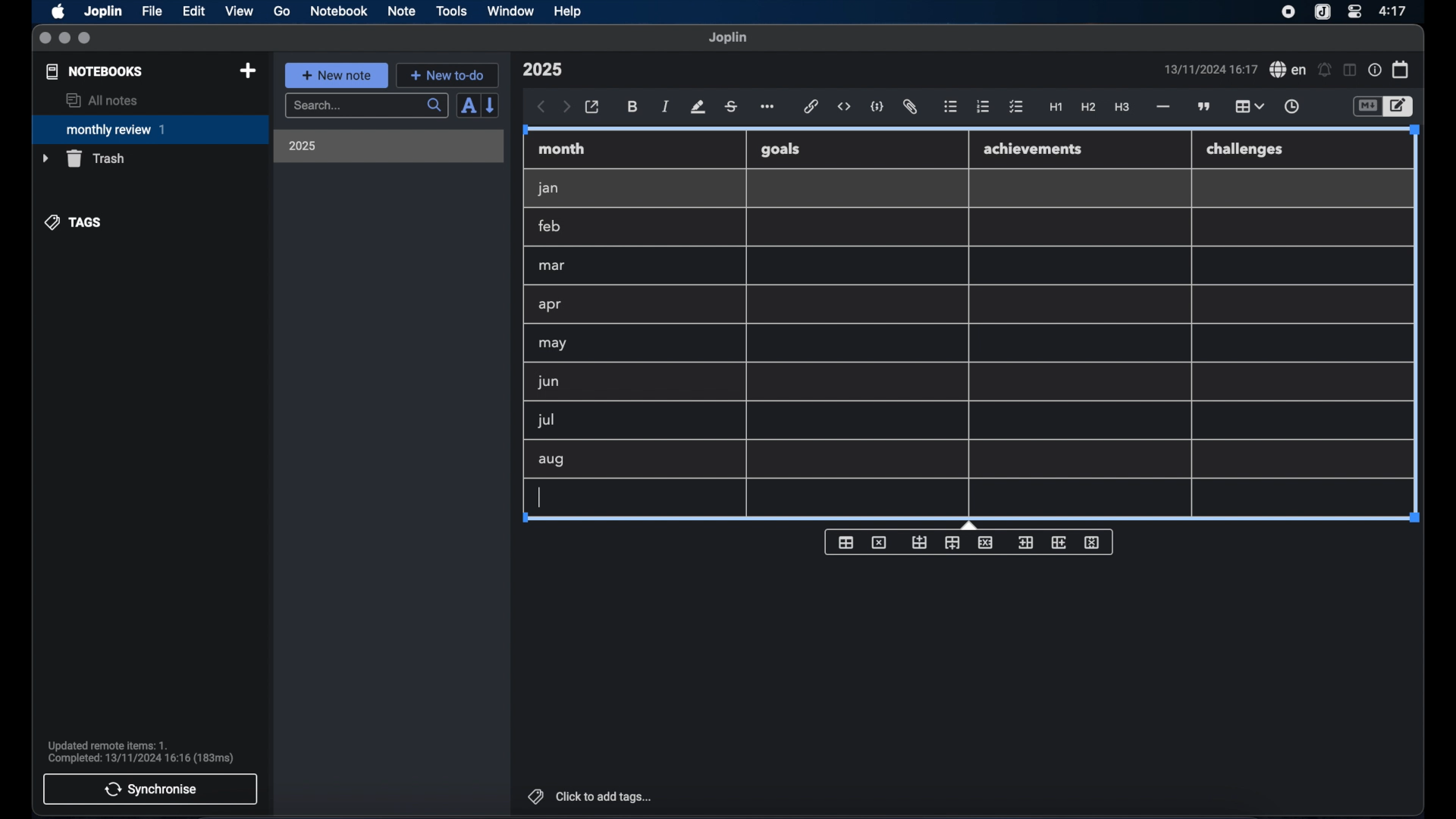  I want to click on strikethrough, so click(730, 107).